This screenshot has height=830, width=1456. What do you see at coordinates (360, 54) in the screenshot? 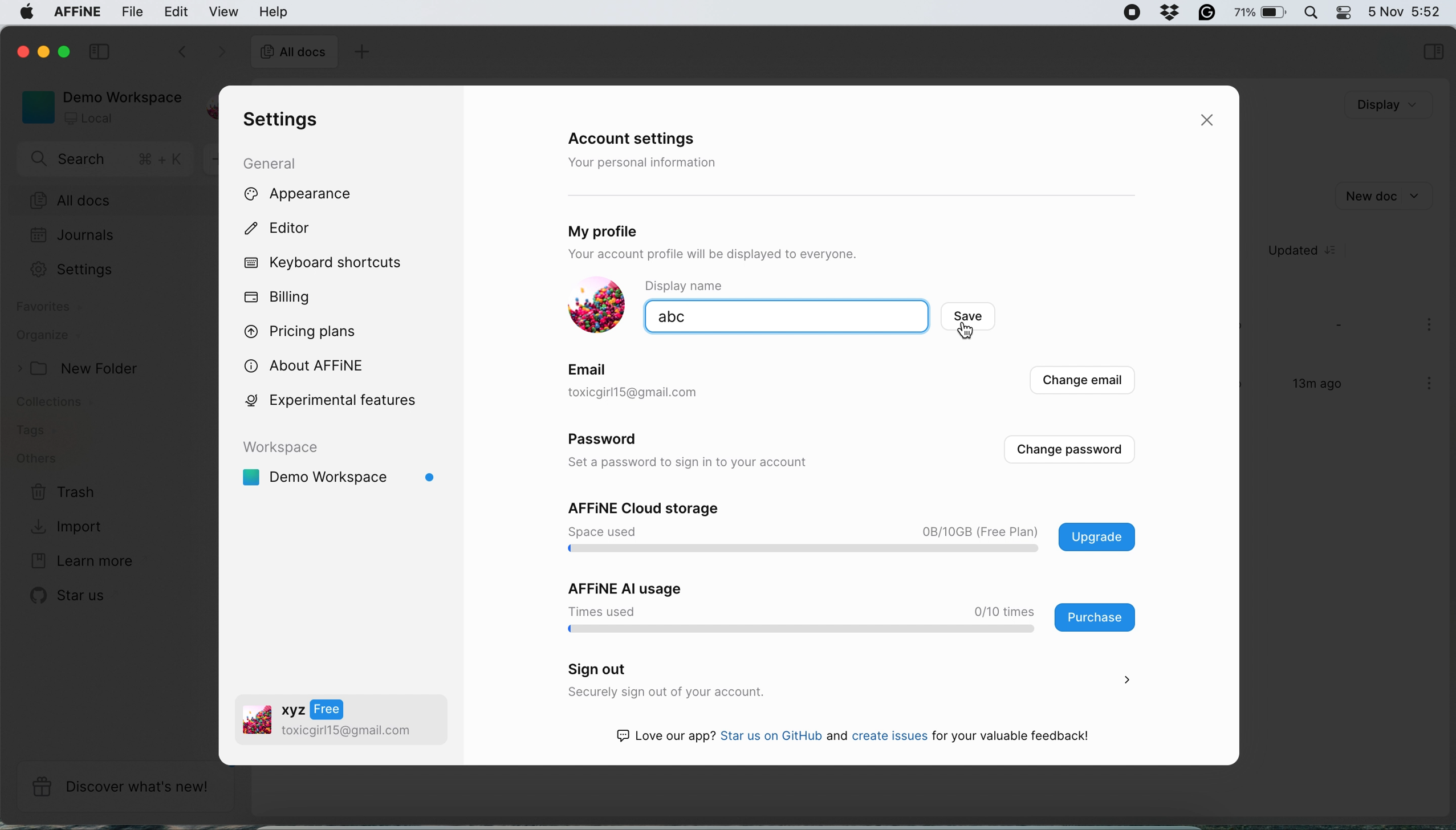
I see `add doc` at bounding box center [360, 54].